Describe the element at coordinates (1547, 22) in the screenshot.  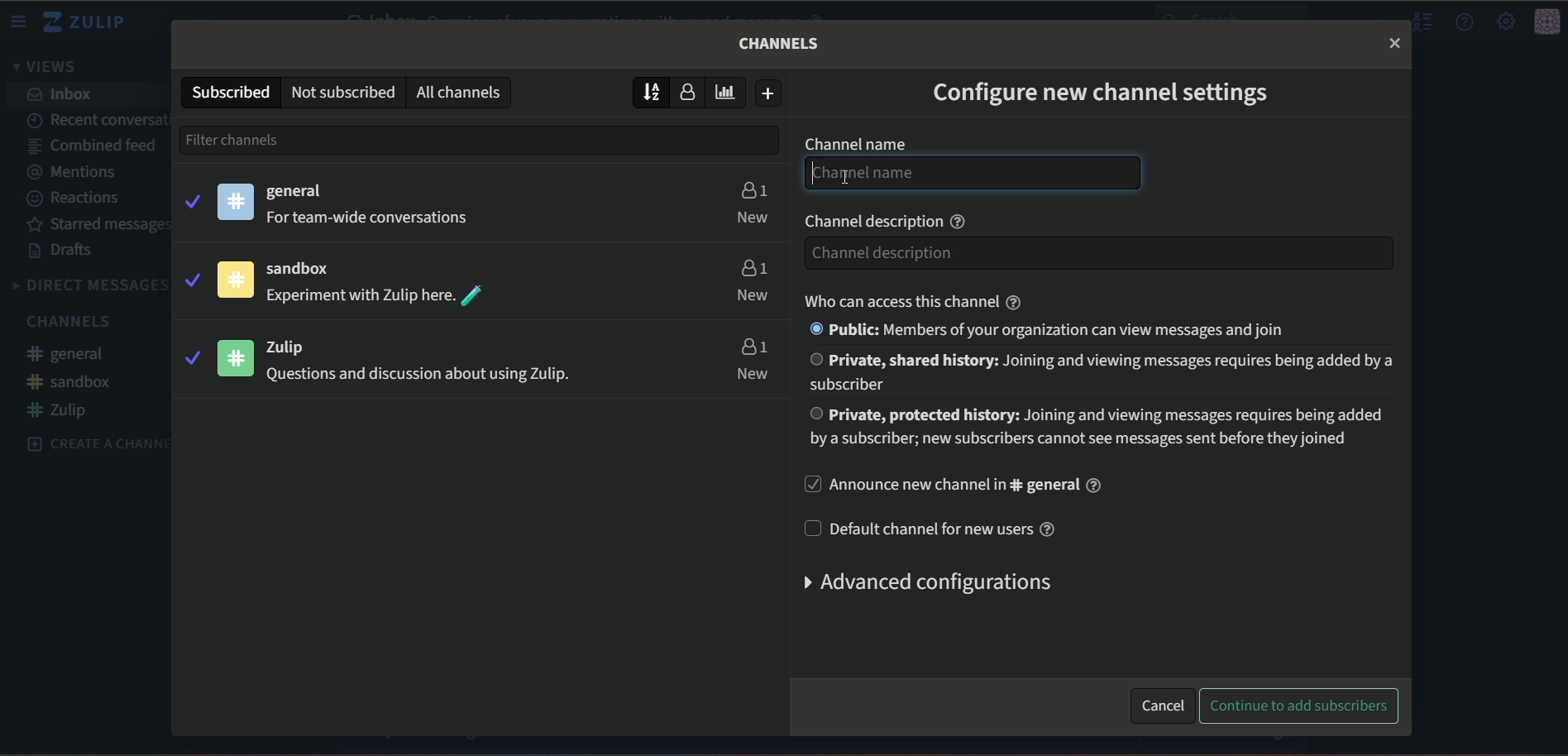
I see `icon` at that location.